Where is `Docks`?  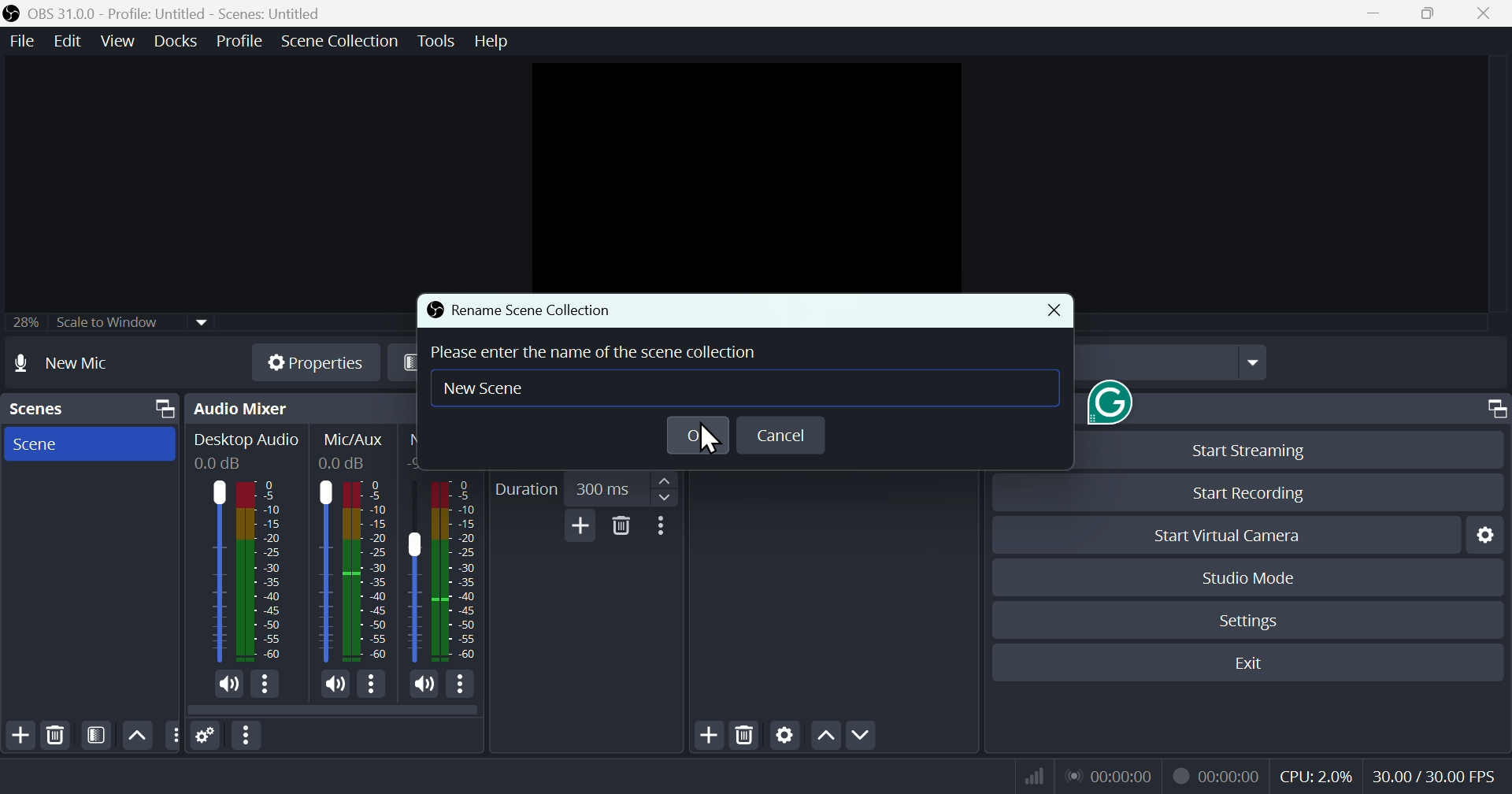
Docks is located at coordinates (172, 44).